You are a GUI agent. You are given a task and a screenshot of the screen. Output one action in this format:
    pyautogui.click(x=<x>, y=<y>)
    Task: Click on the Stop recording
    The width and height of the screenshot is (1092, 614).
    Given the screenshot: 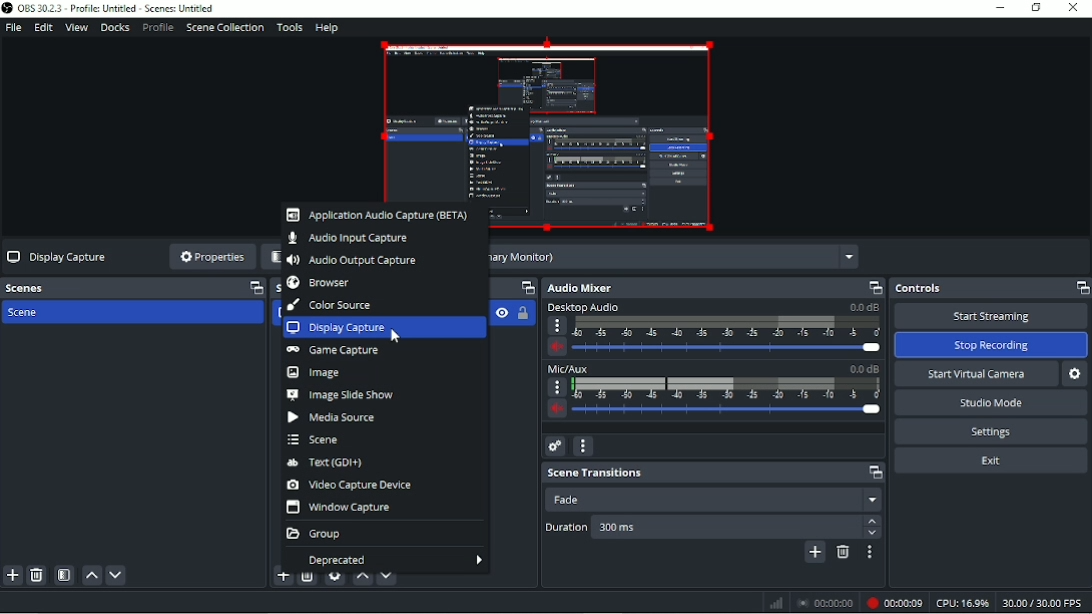 What is the action you would take?
    pyautogui.click(x=992, y=345)
    